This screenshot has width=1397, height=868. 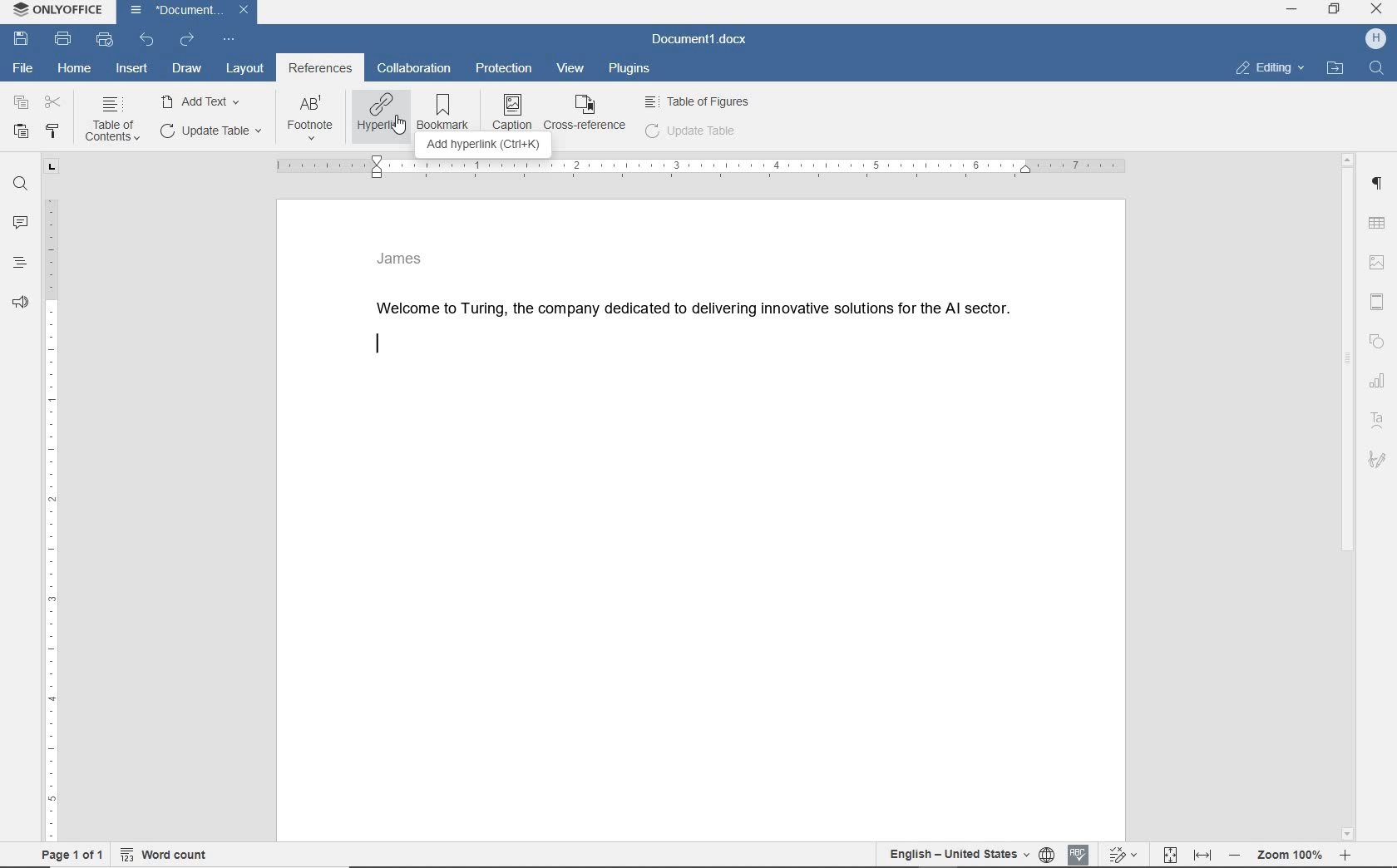 What do you see at coordinates (244, 12) in the screenshot?
I see `Close` at bounding box center [244, 12].